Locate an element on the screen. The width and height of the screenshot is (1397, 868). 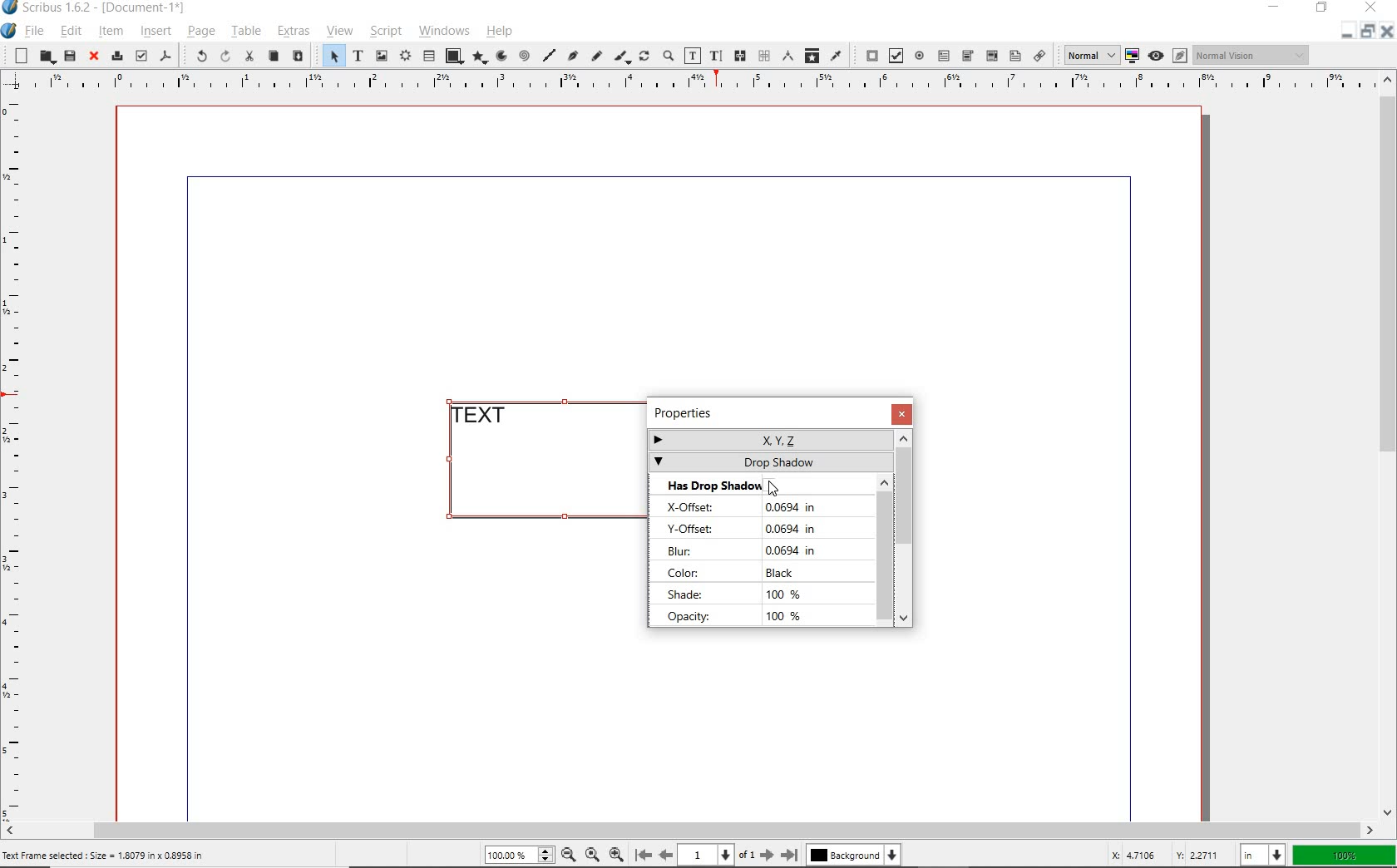
blur is located at coordinates (746, 550).